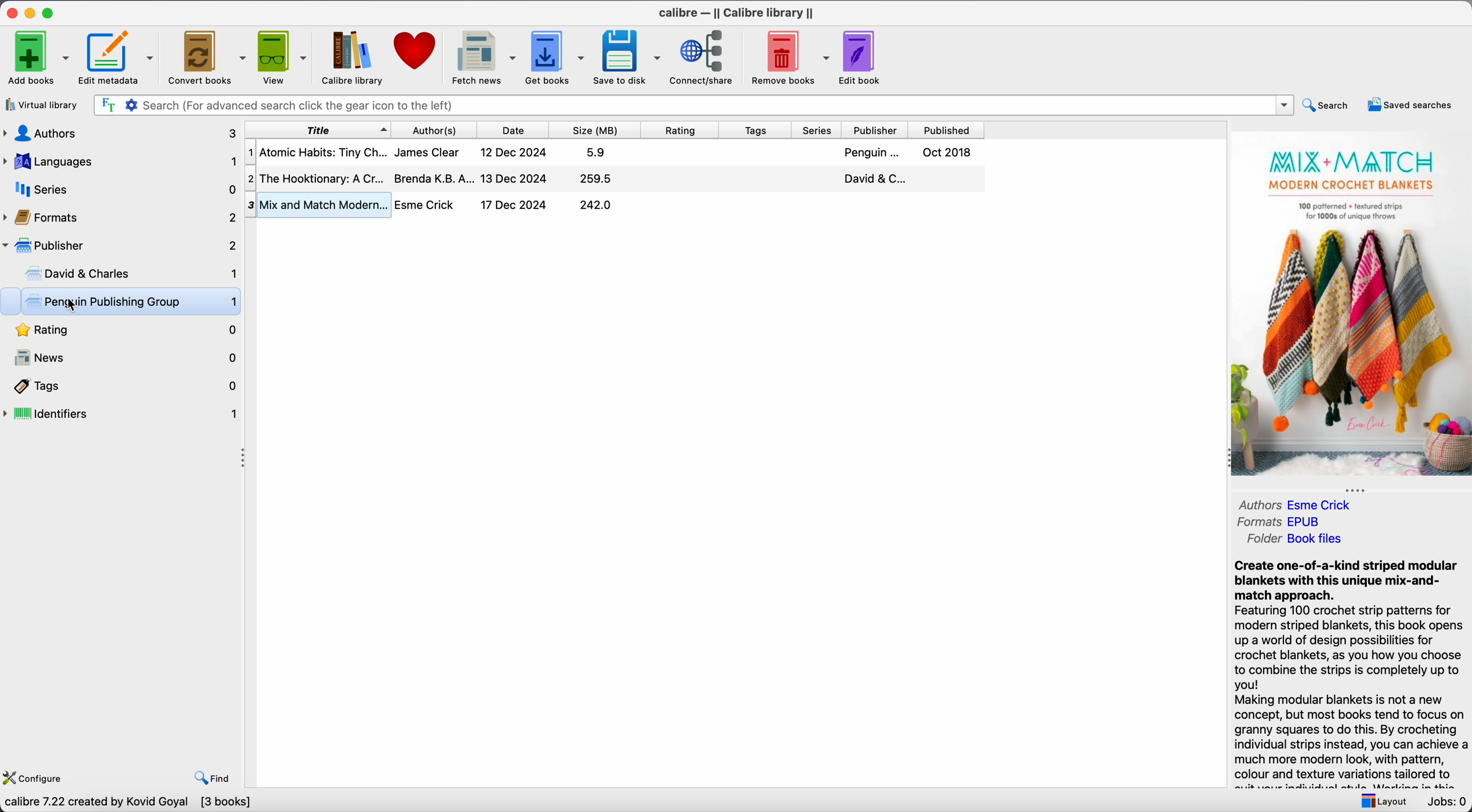 The width and height of the screenshot is (1472, 812). Describe the element at coordinates (30, 13) in the screenshot. I see `minimize` at that location.